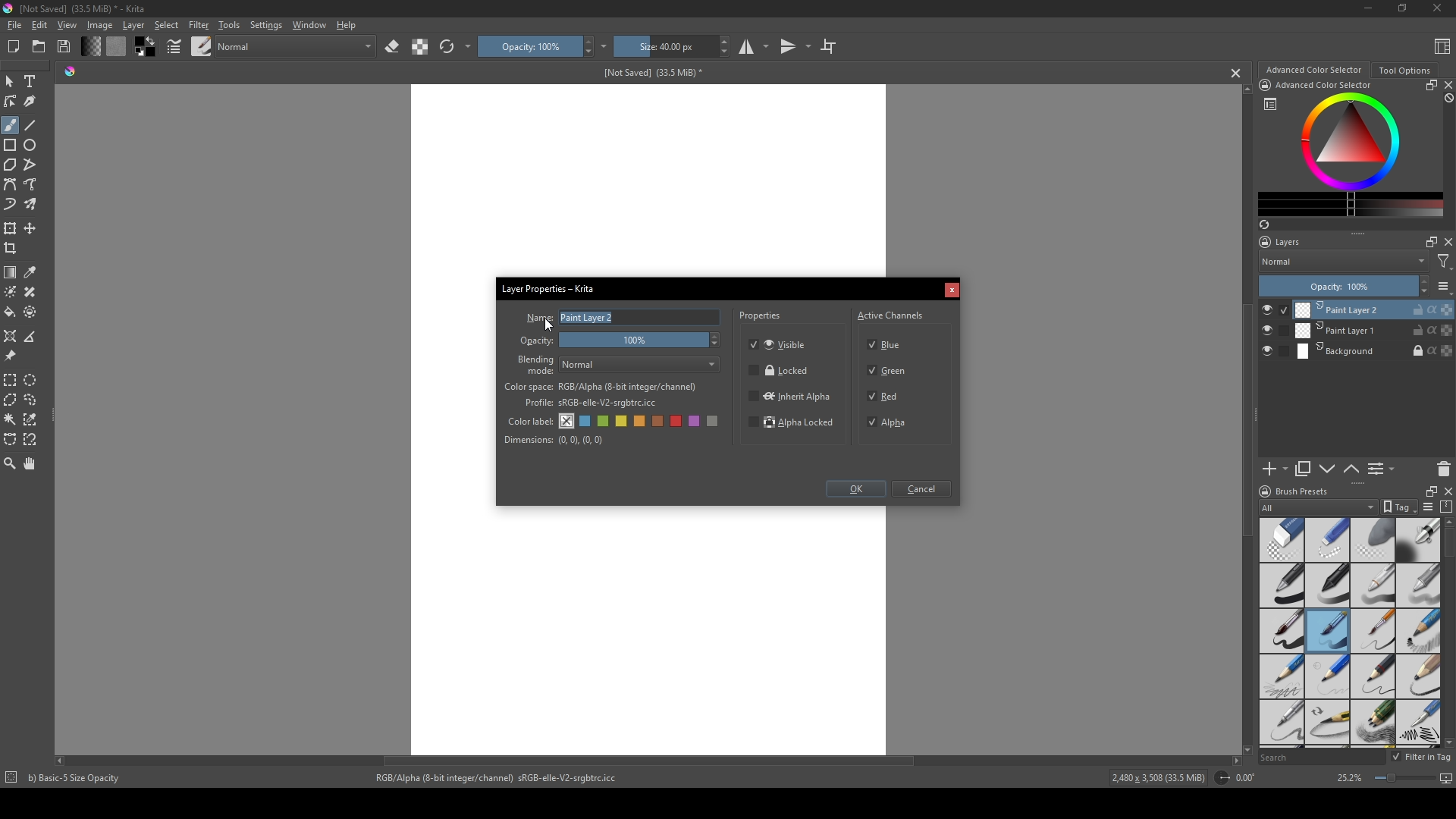 The width and height of the screenshot is (1456, 819). I want to click on crop, so click(828, 45).